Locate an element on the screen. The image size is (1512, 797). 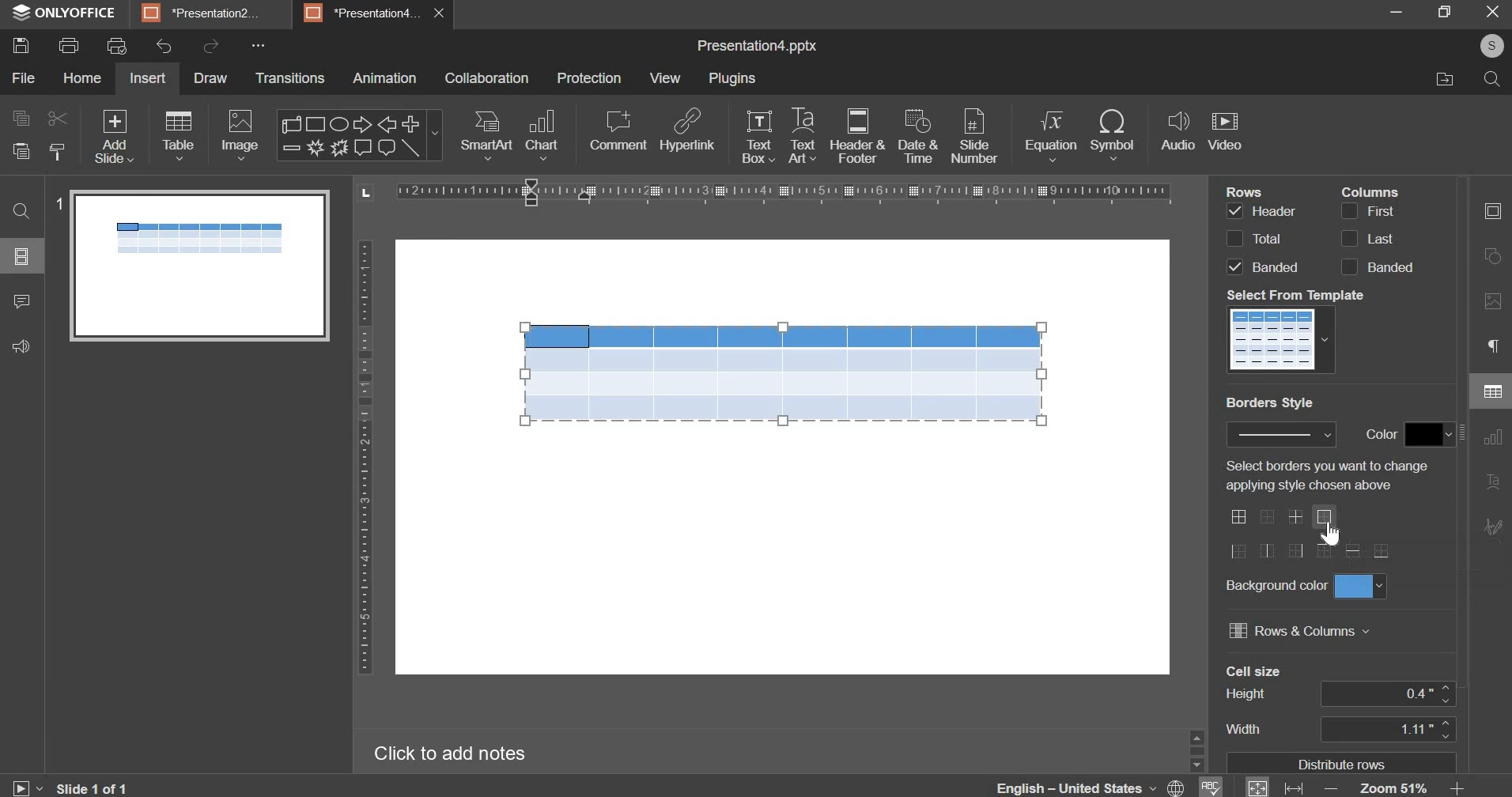
chart is located at coordinates (542, 134).